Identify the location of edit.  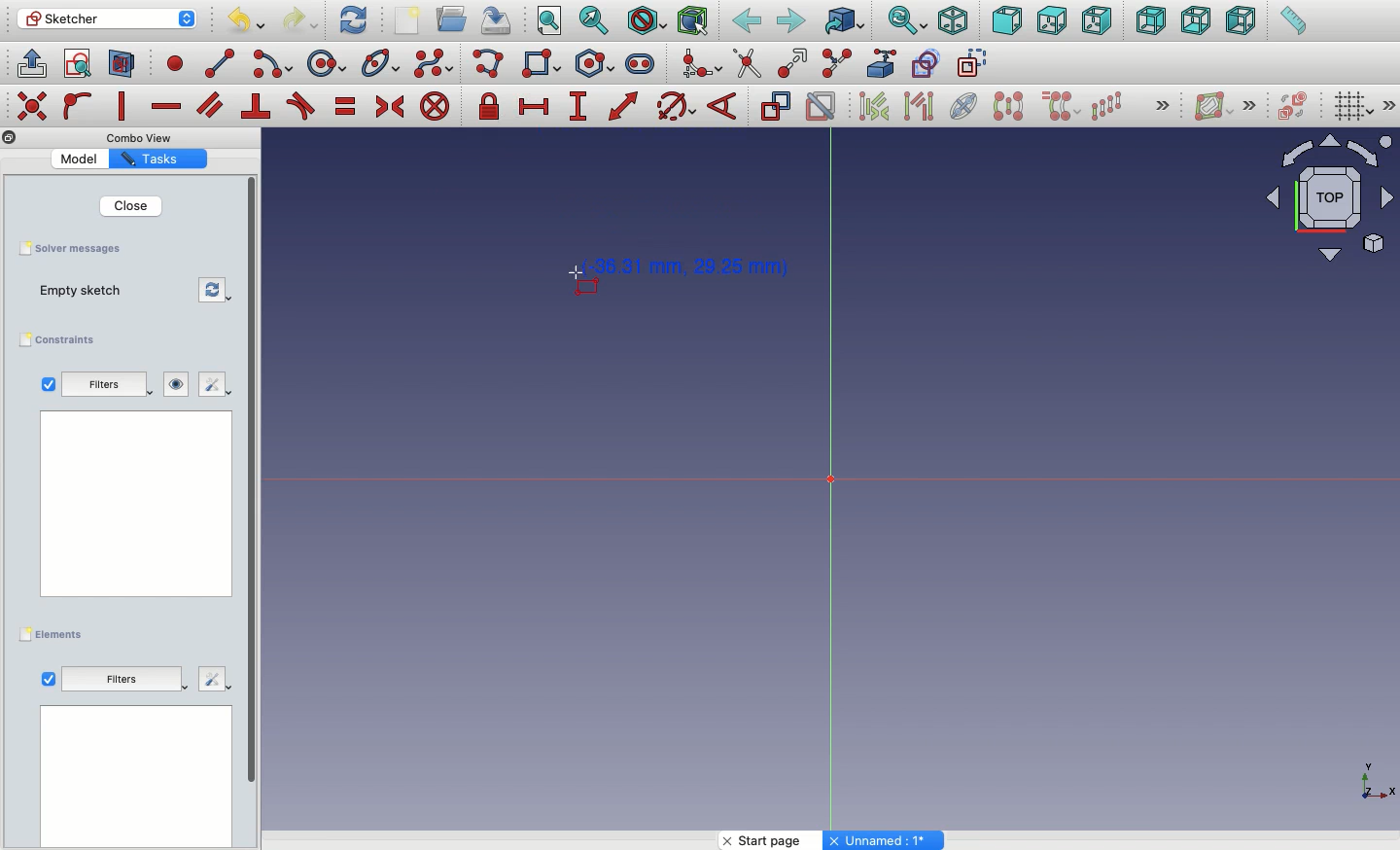
(215, 677).